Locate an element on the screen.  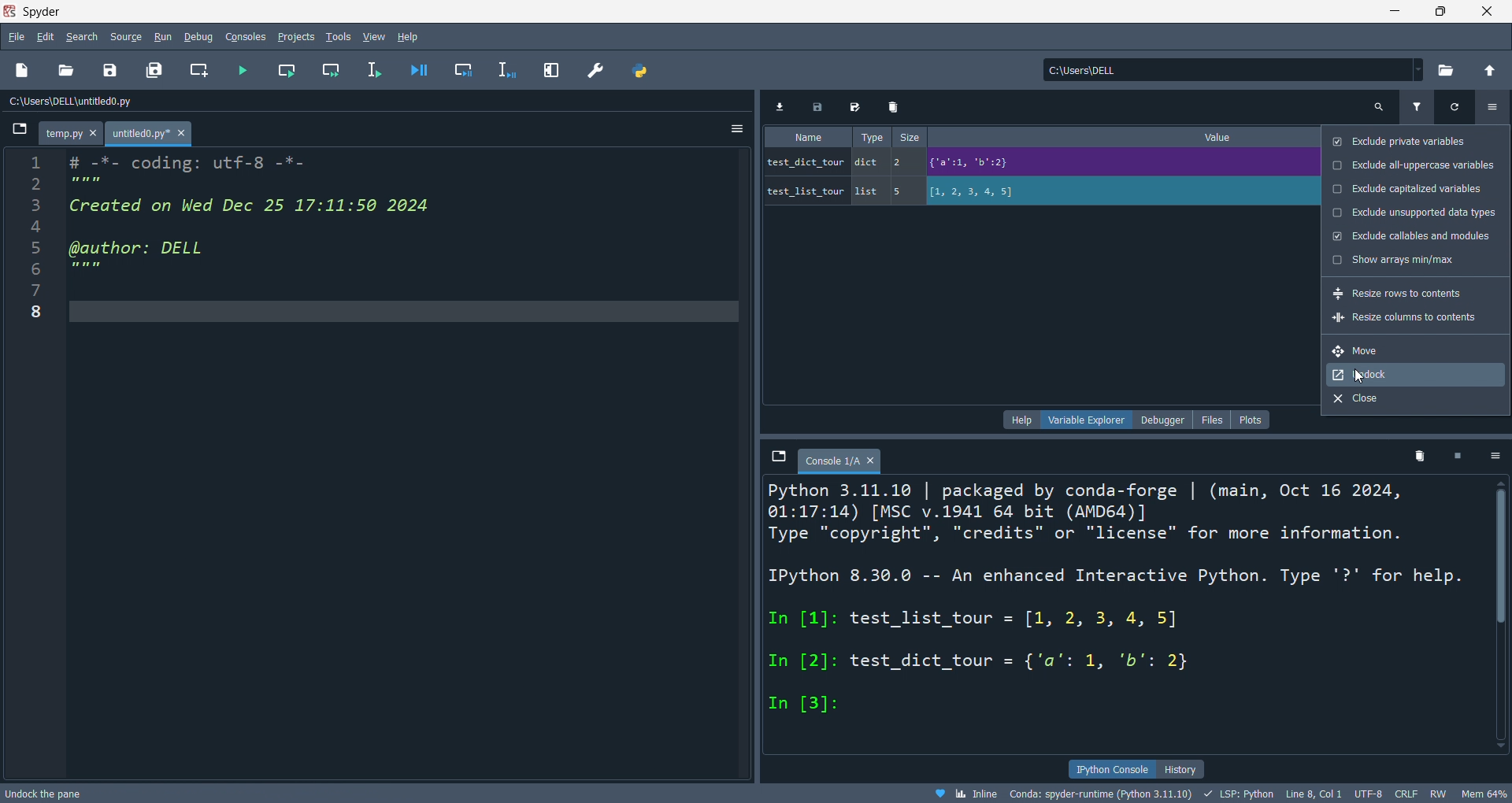
editor pane is located at coordinates (408, 464).